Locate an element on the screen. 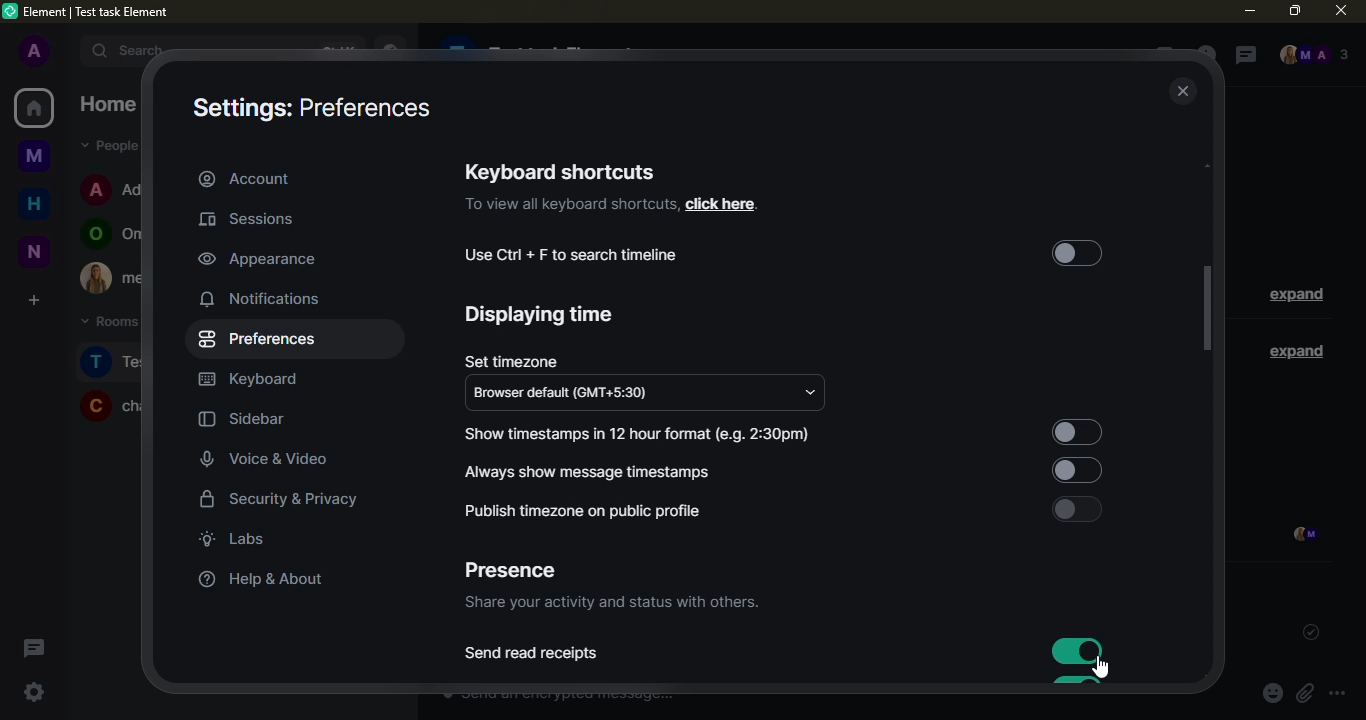 The height and width of the screenshot is (720, 1366). new is located at coordinates (33, 251).